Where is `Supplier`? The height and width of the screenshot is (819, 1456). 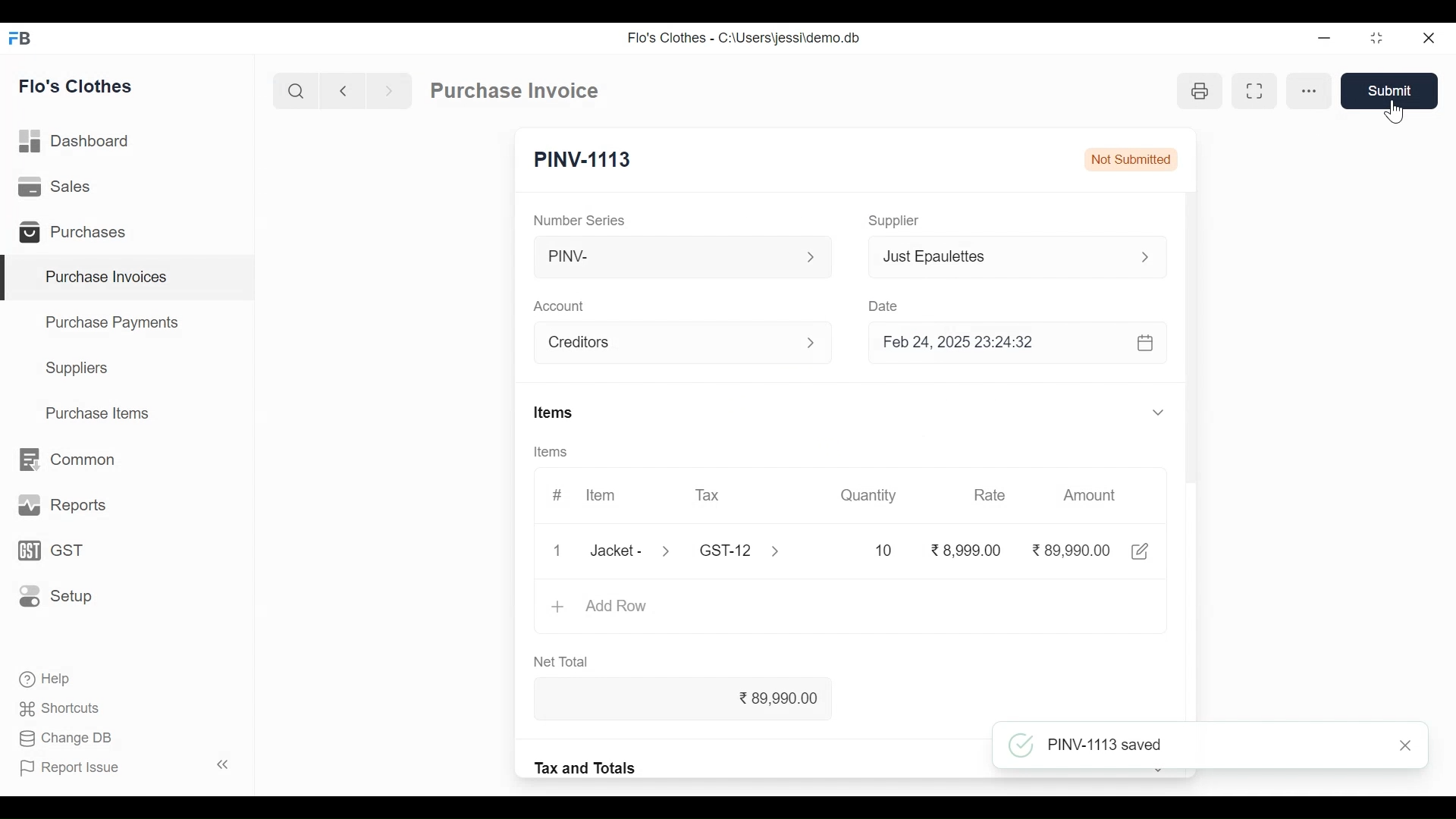
Supplier is located at coordinates (897, 221).